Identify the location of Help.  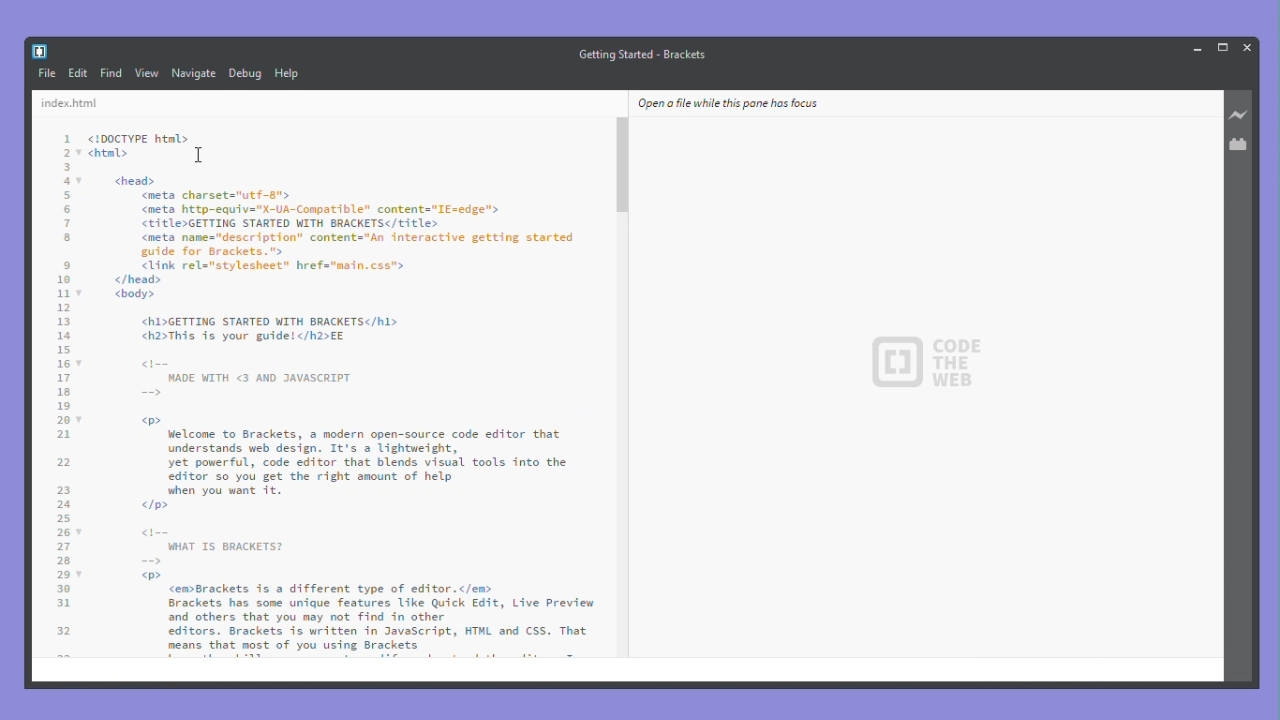
(297, 73).